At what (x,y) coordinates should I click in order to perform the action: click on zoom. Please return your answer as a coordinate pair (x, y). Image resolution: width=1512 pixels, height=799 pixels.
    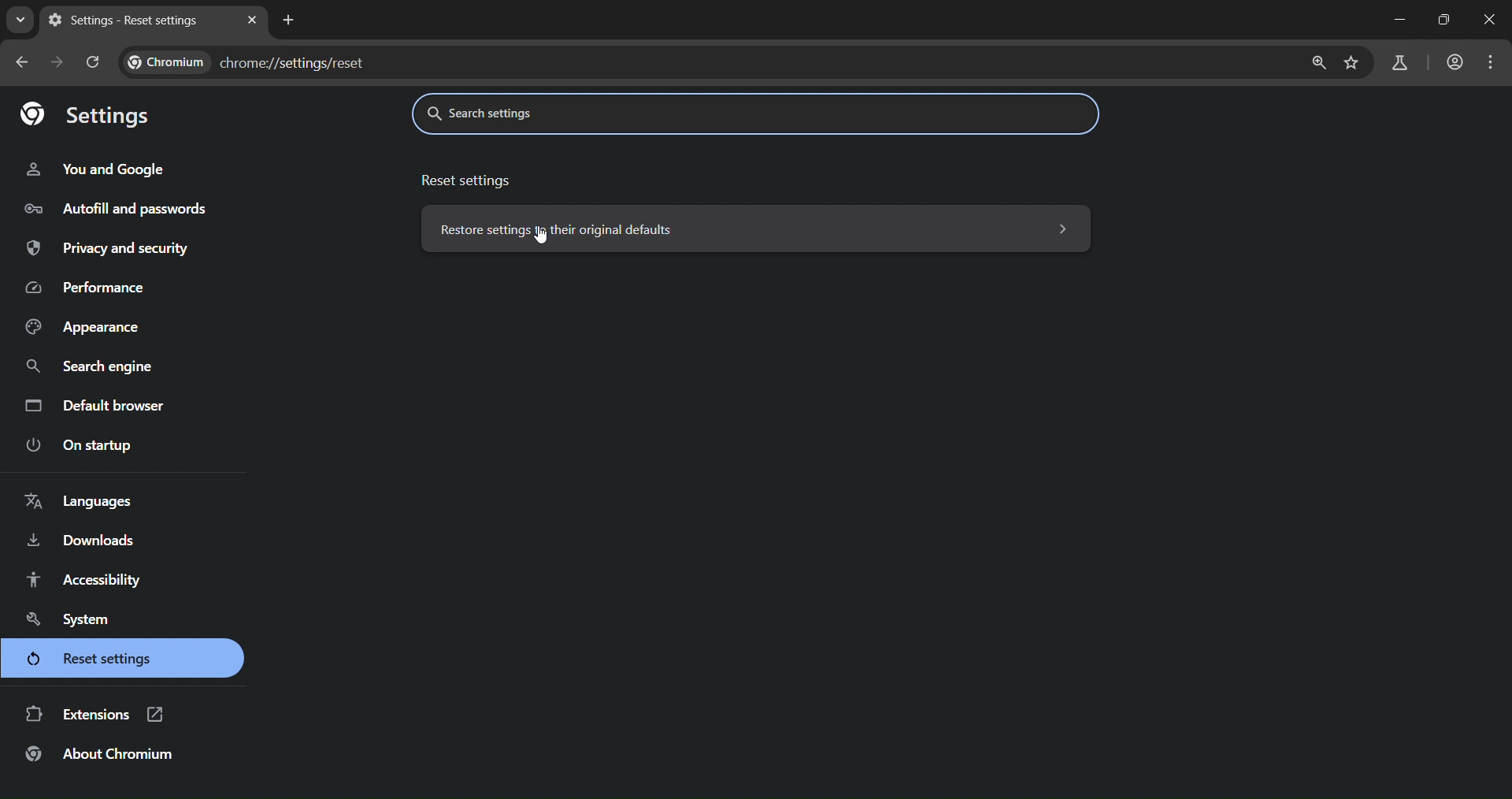
    Looking at the image, I should click on (1317, 63).